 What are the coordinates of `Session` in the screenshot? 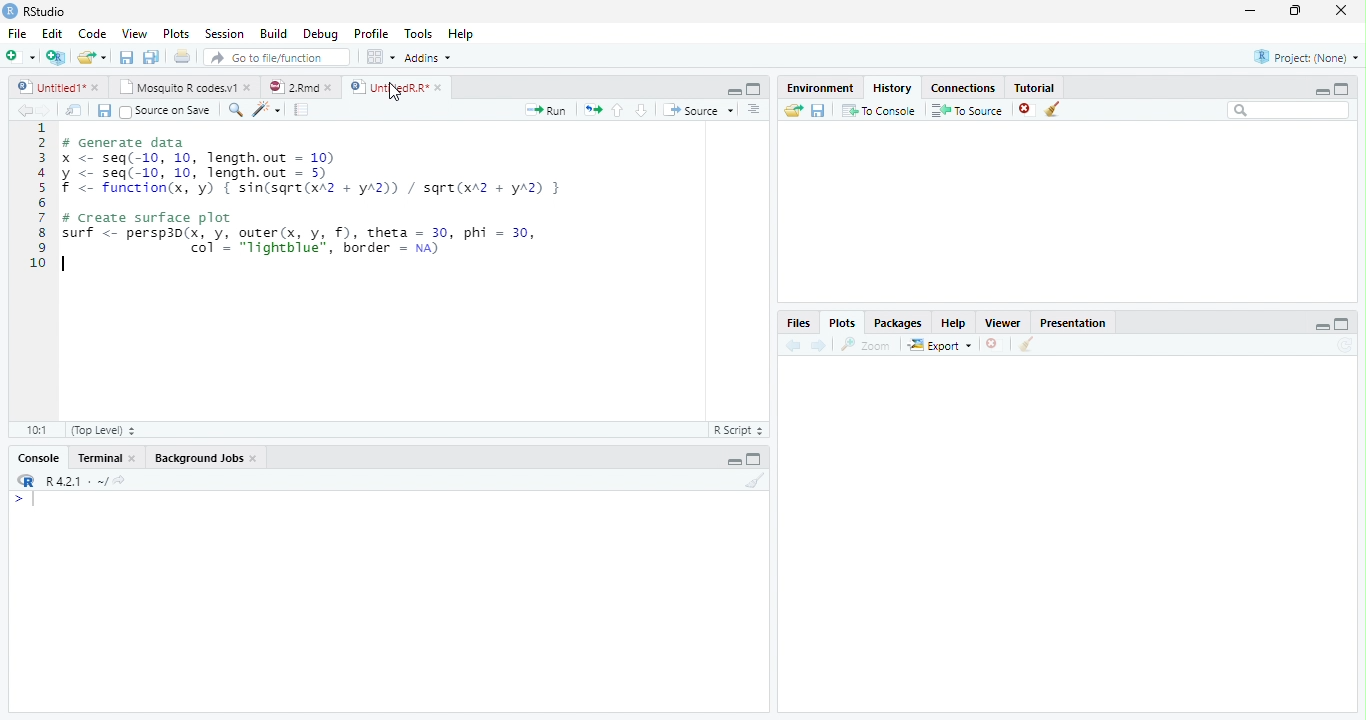 It's located at (223, 34).